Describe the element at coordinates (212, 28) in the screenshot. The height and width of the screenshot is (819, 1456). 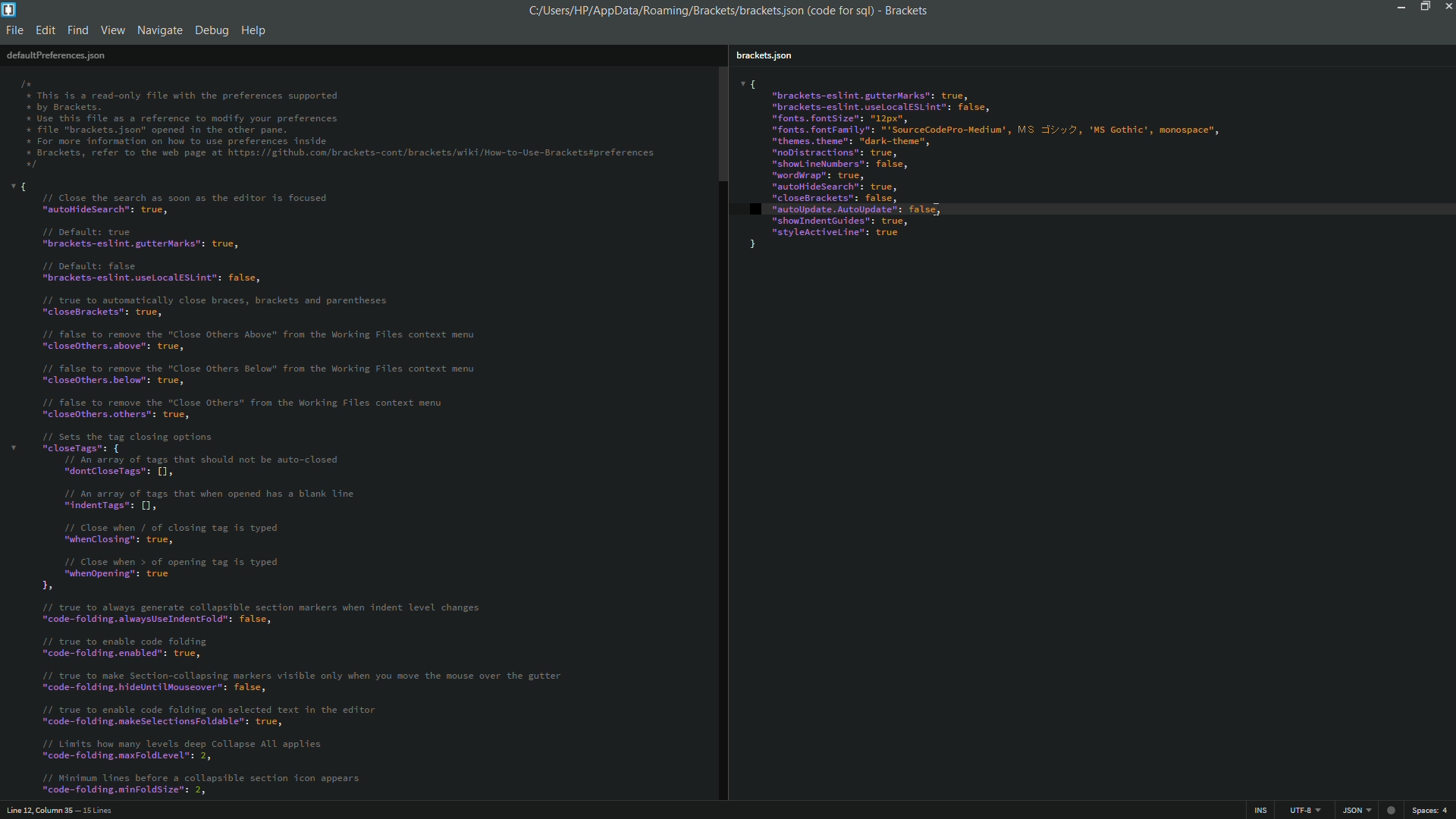
I see `debug menu` at that location.